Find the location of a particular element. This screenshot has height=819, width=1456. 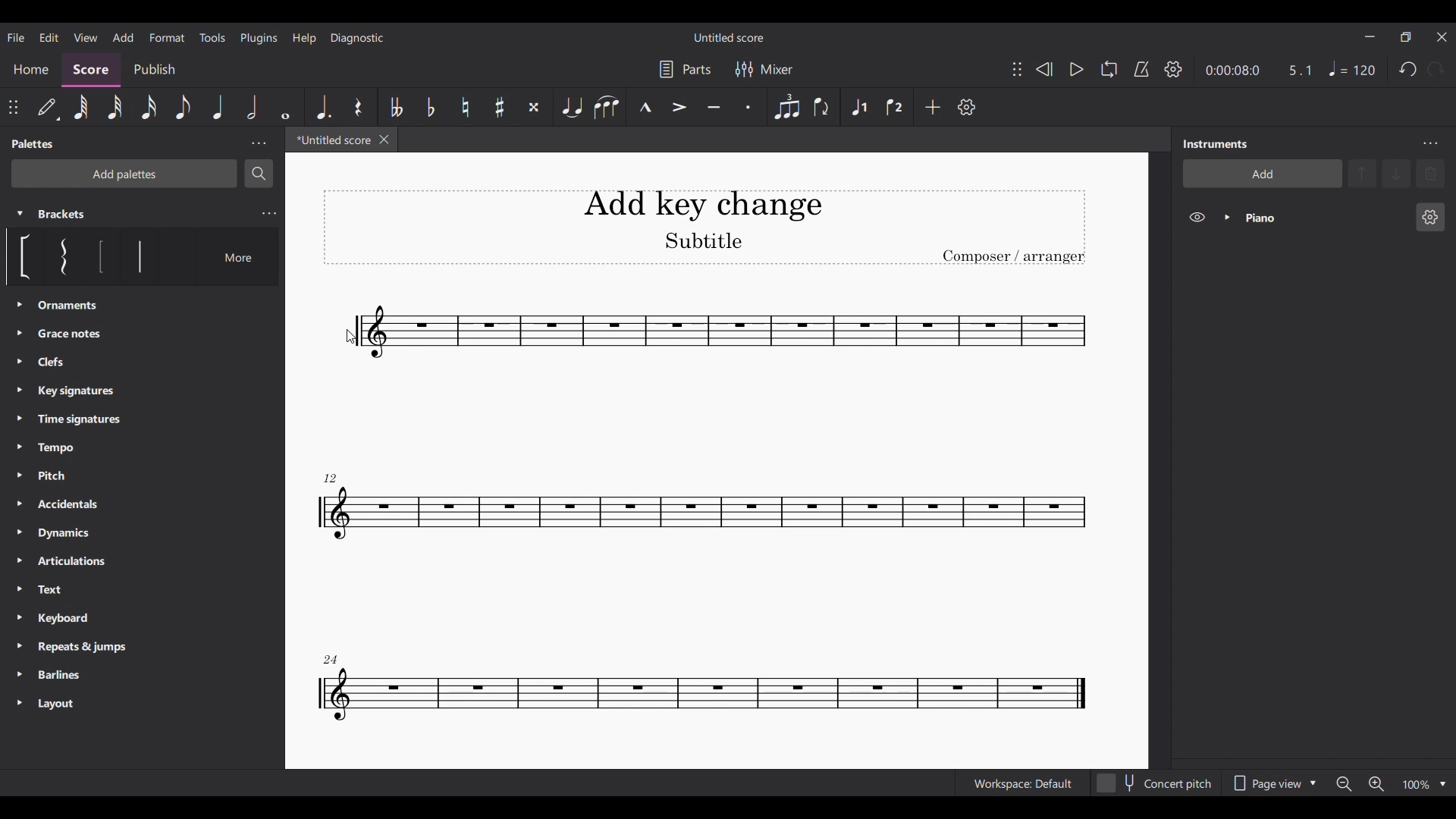

Voice 2 is located at coordinates (893, 107).